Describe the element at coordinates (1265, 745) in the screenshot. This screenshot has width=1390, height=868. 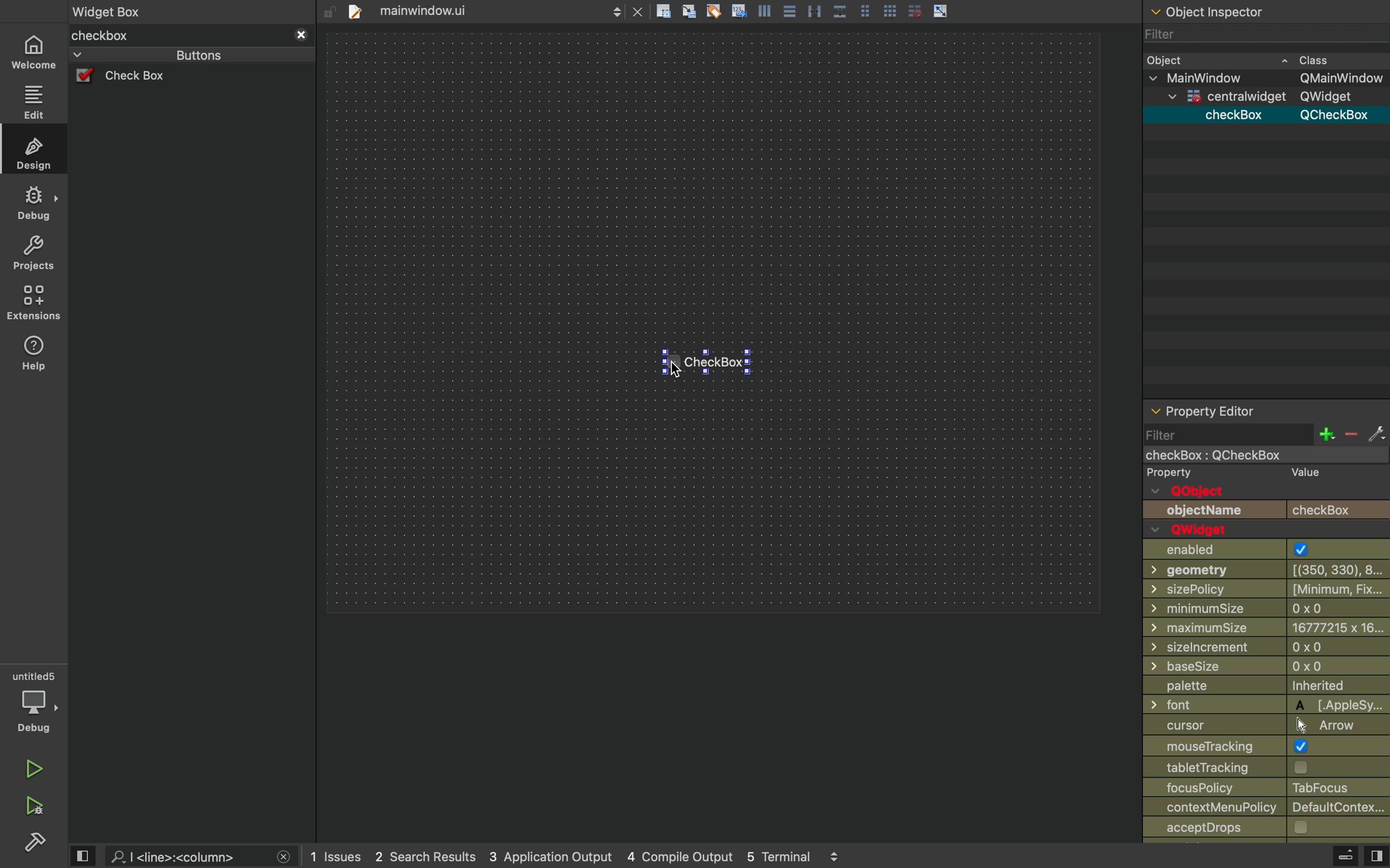
I see `mouse tracking` at that location.